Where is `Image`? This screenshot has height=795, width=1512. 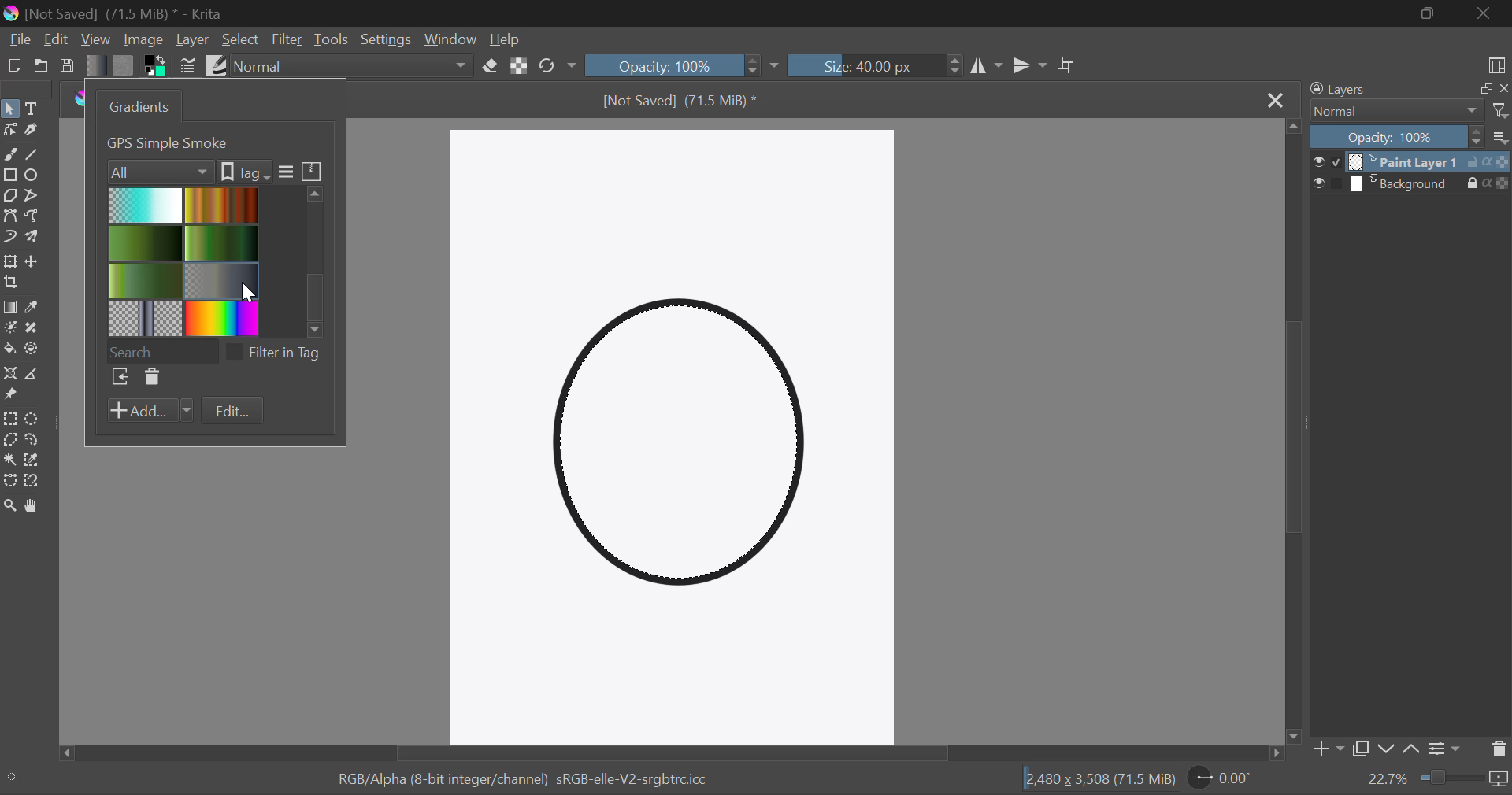
Image is located at coordinates (145, 41).